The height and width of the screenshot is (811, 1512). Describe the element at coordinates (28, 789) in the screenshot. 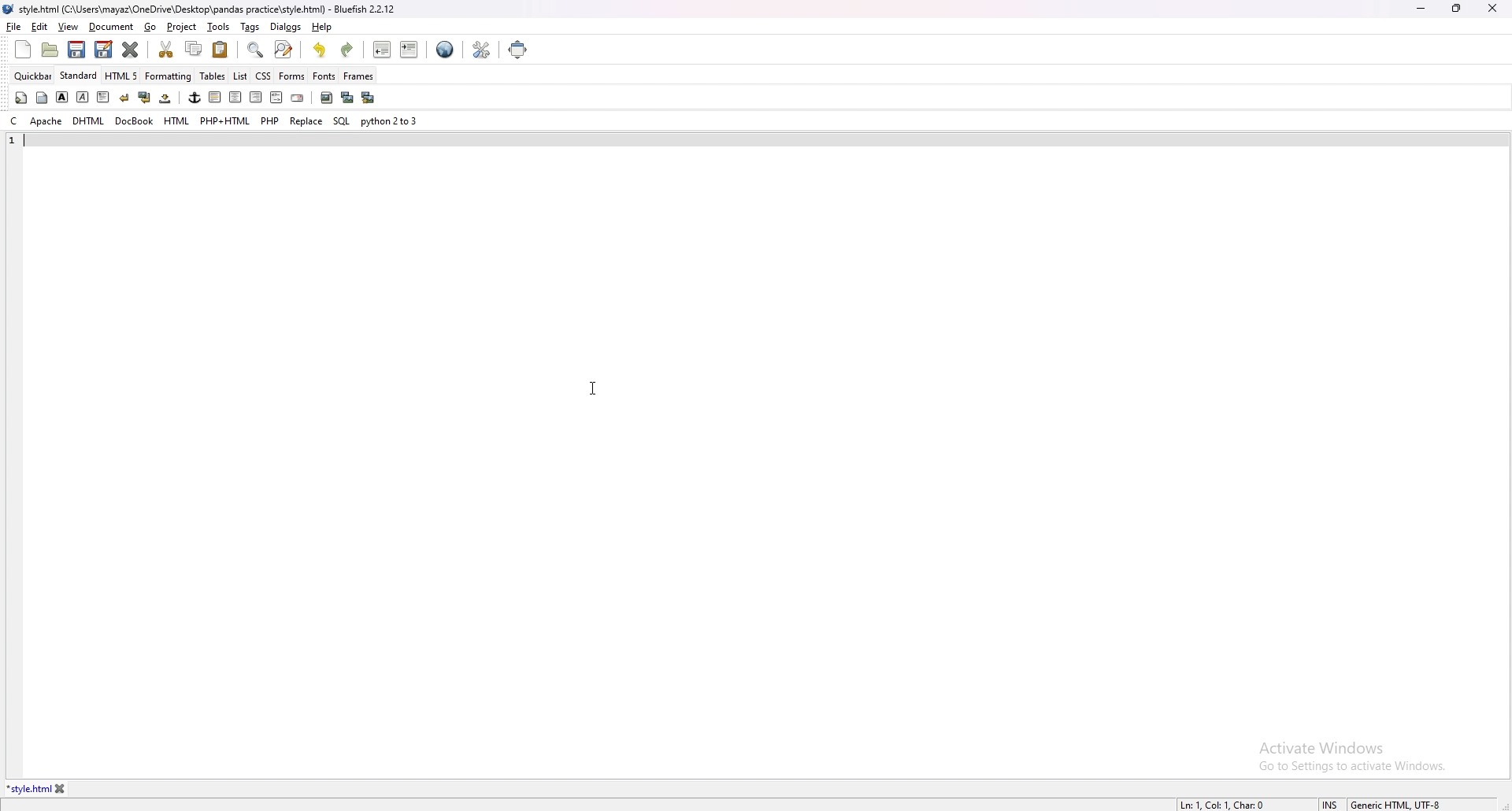

I see `tab` at that location.